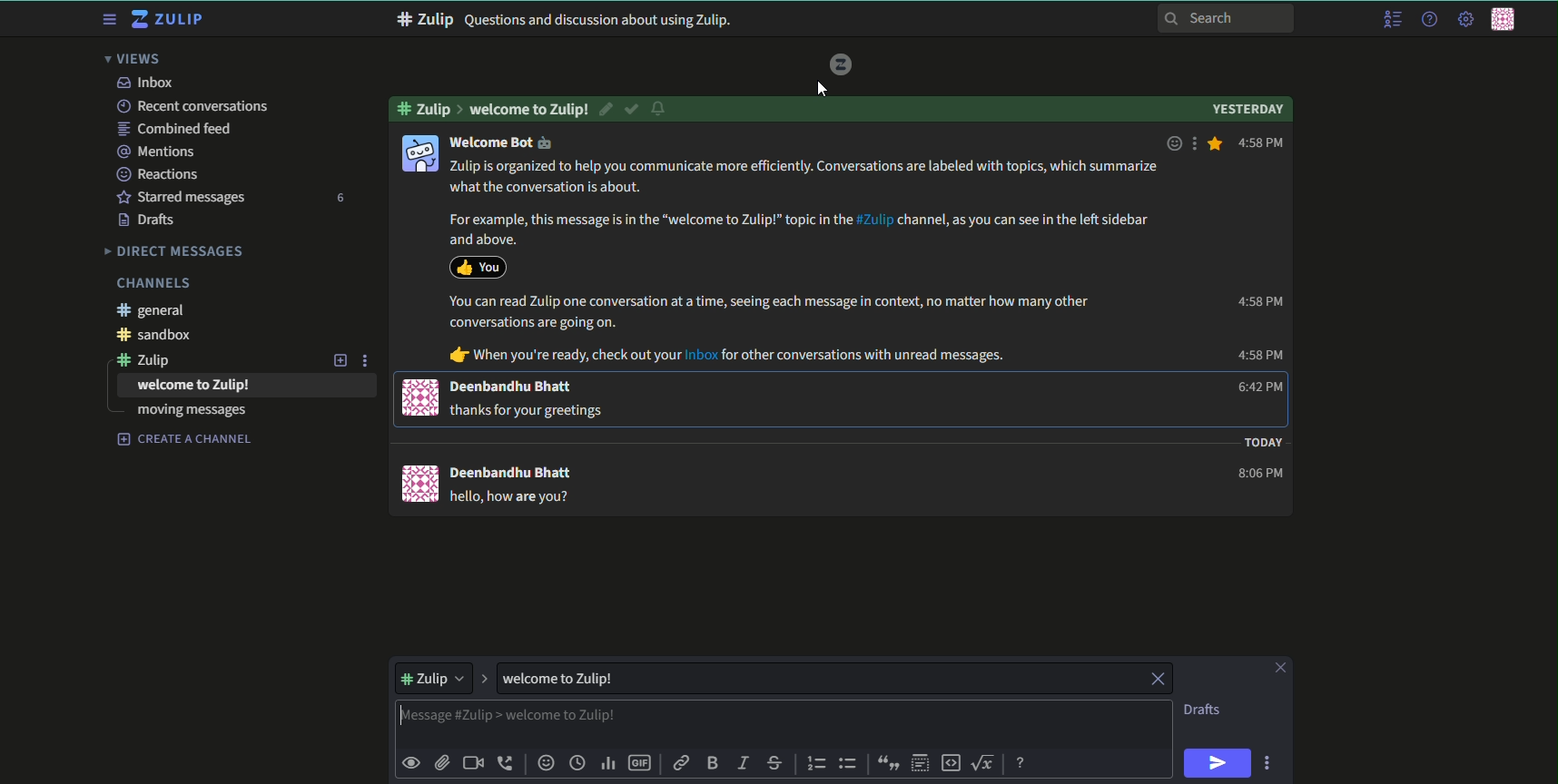  What do you see at coordinates (607, 109) in the screenshot?
I see `edit` at bounding box center [607, 109].